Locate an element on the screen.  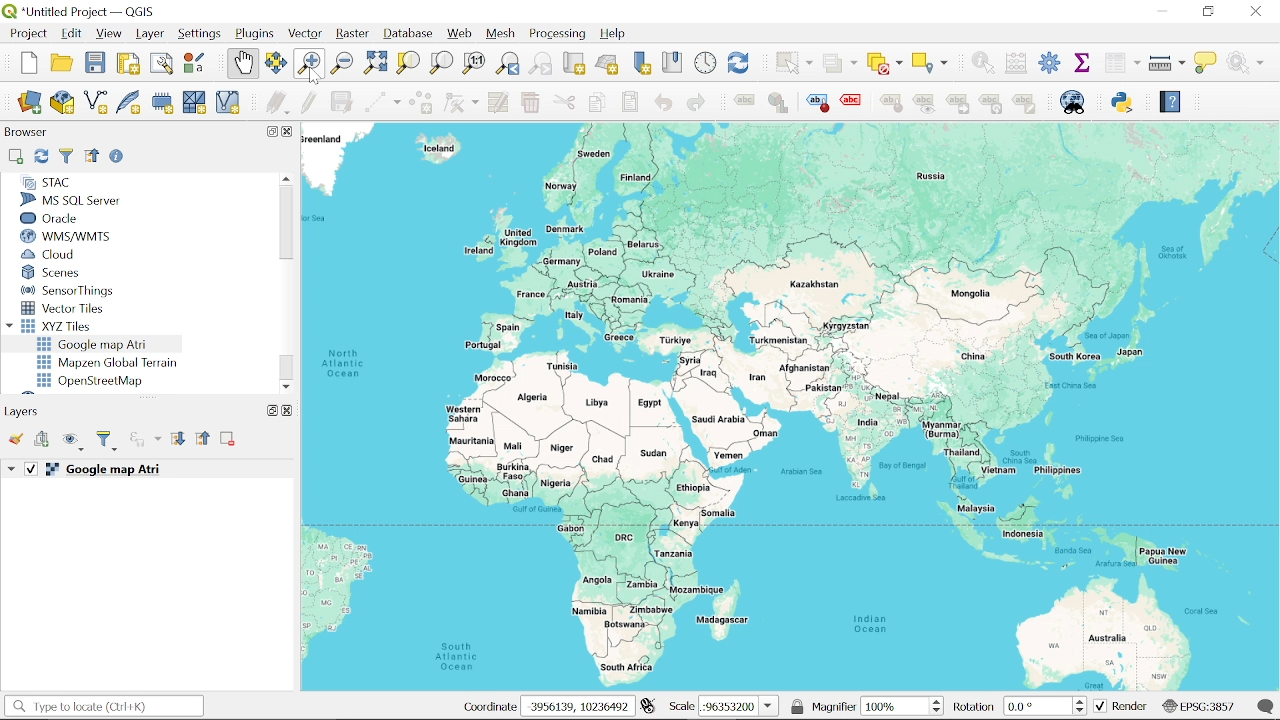
Digitize the segment is located at coordinates (381, 104).